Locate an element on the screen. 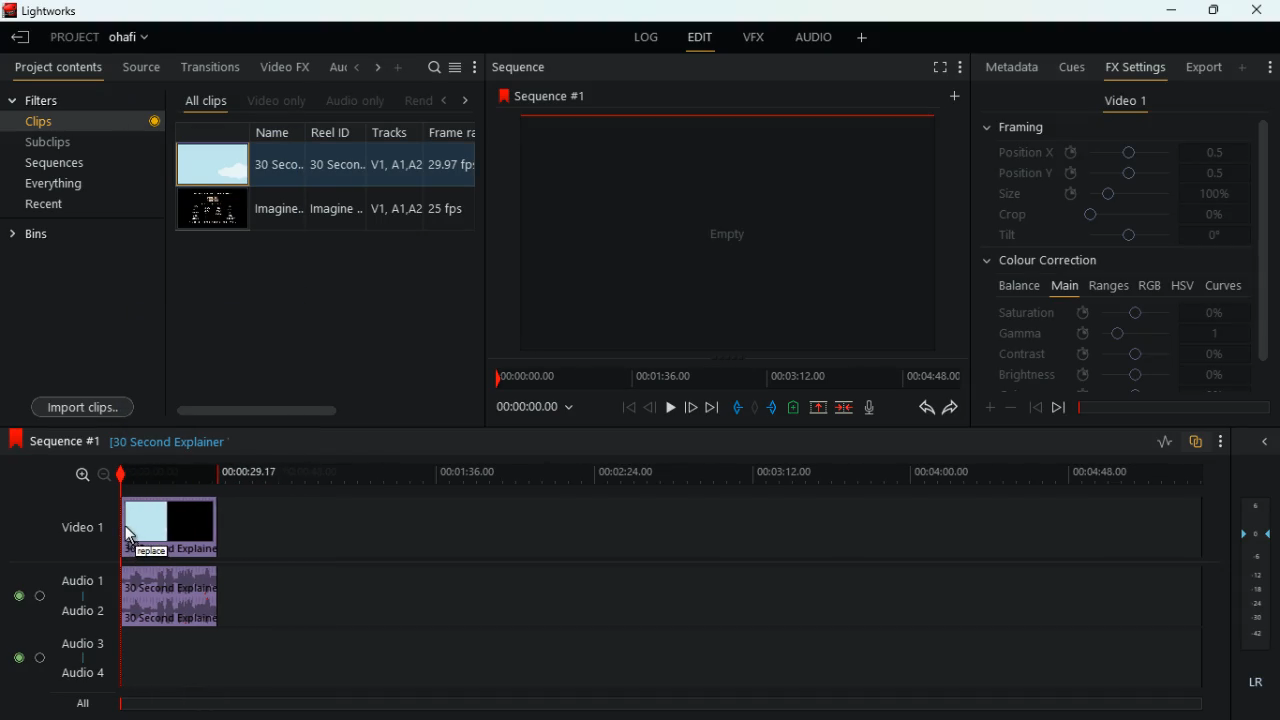 This screenshot has width=1280, height=720. mic is located at coordinates (868, 409).